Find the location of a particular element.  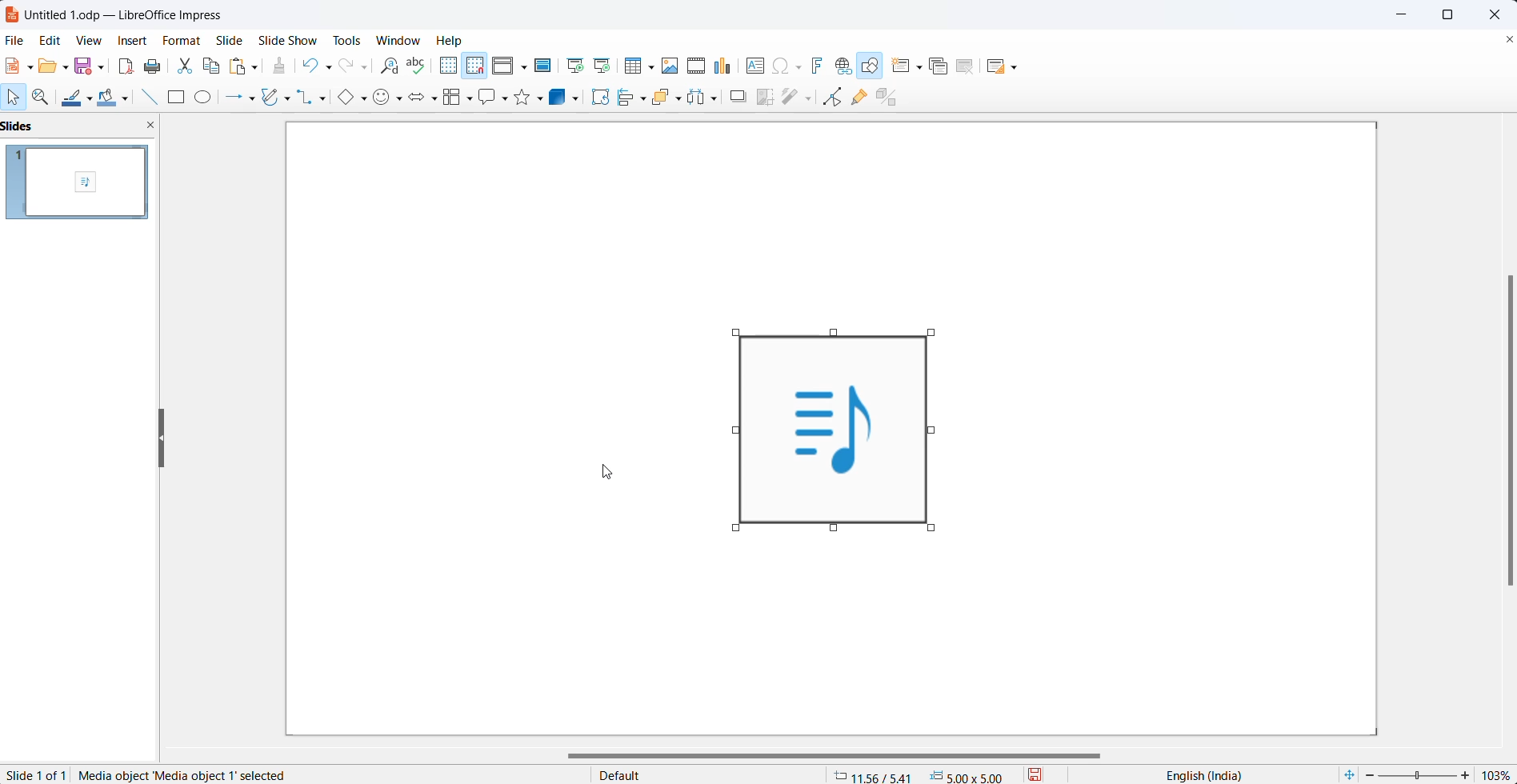

crop image is located at coordinates (763, 99).